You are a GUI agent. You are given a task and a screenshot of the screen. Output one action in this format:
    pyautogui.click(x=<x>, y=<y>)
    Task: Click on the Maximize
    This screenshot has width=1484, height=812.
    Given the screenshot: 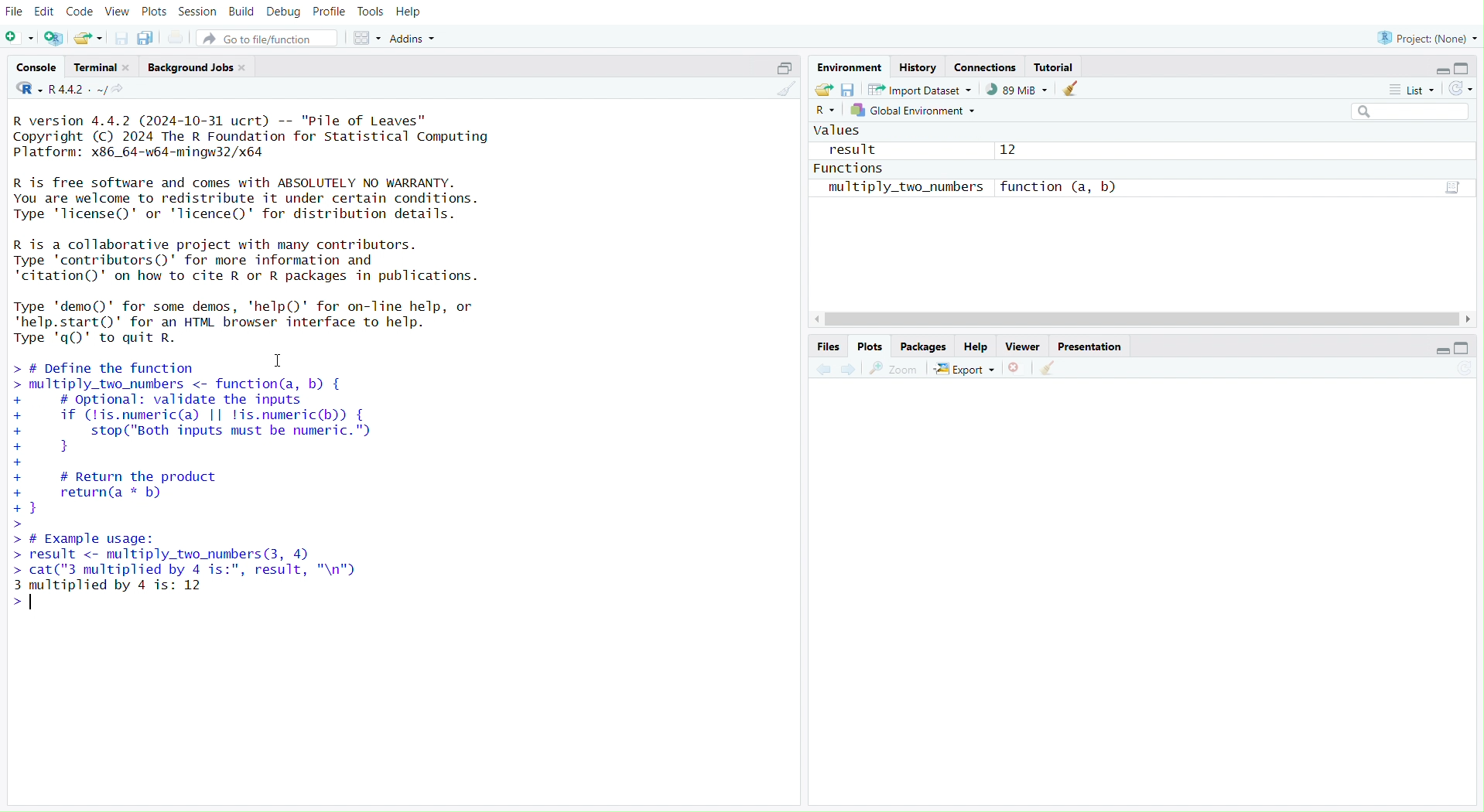 What is the action you would take?
    pyautogui.click(x=1465, y=68)
    